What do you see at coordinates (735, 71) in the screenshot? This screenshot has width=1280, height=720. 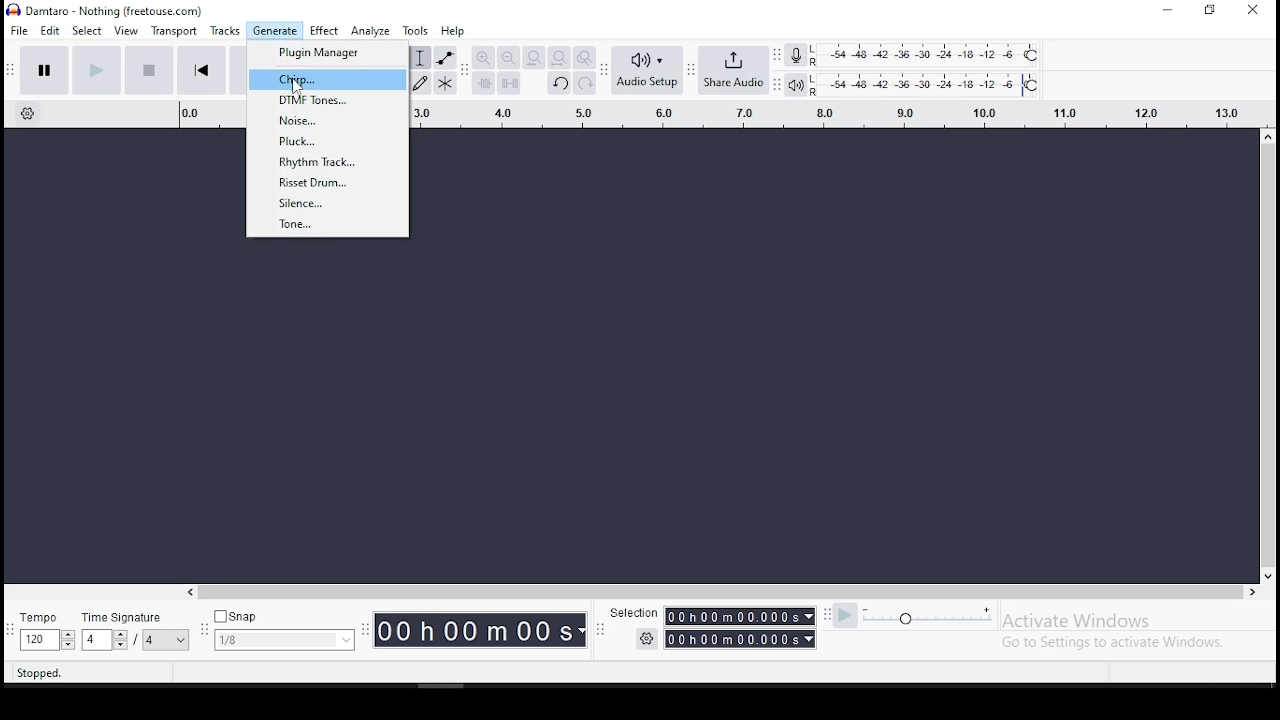 I see `share audio` at bounding box center [735, 71].